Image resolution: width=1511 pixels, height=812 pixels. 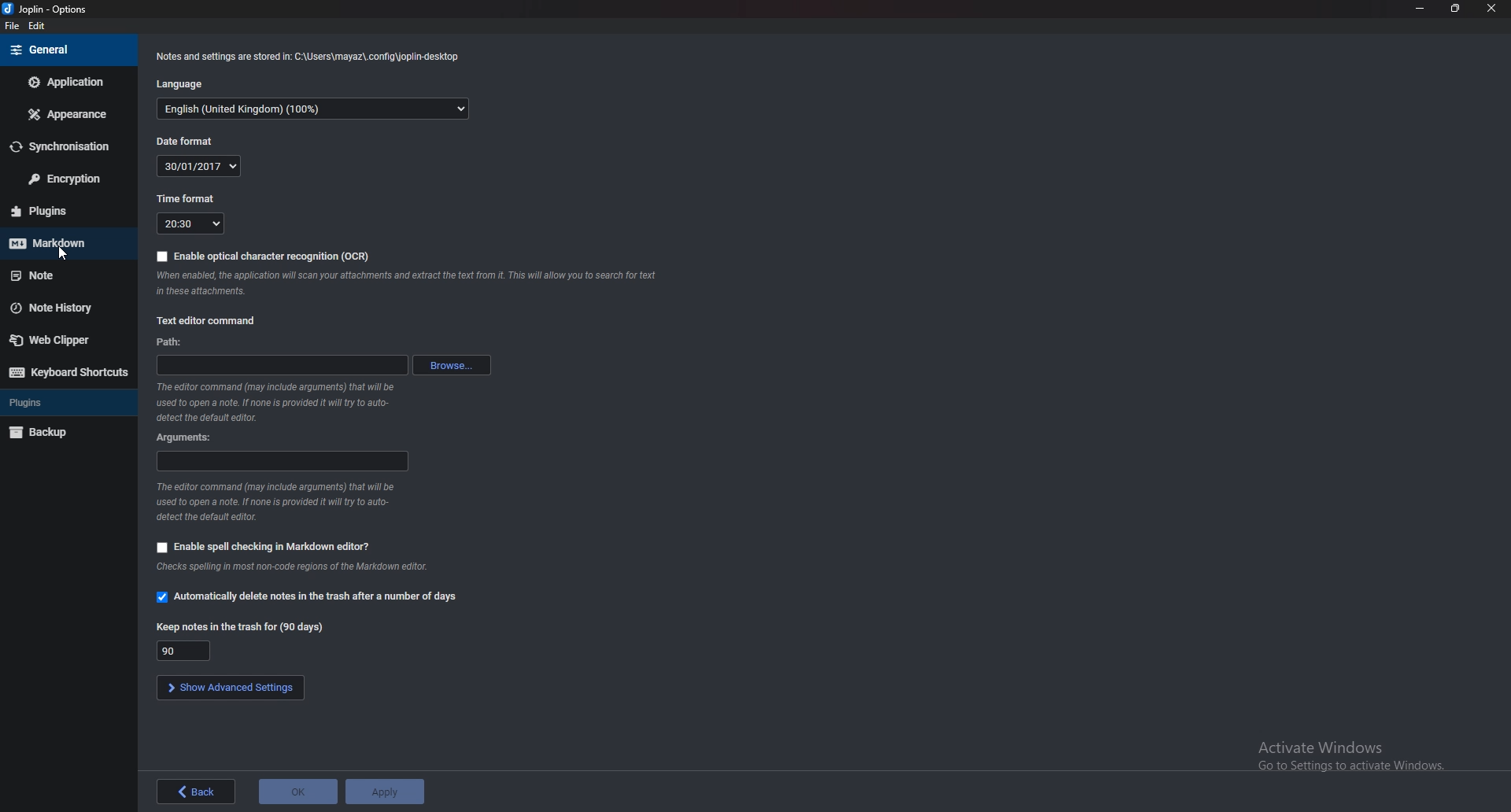 What do you see at coordinates (190, 83) in the screenshot?
I see `Language` at bounding box center [190, 83].